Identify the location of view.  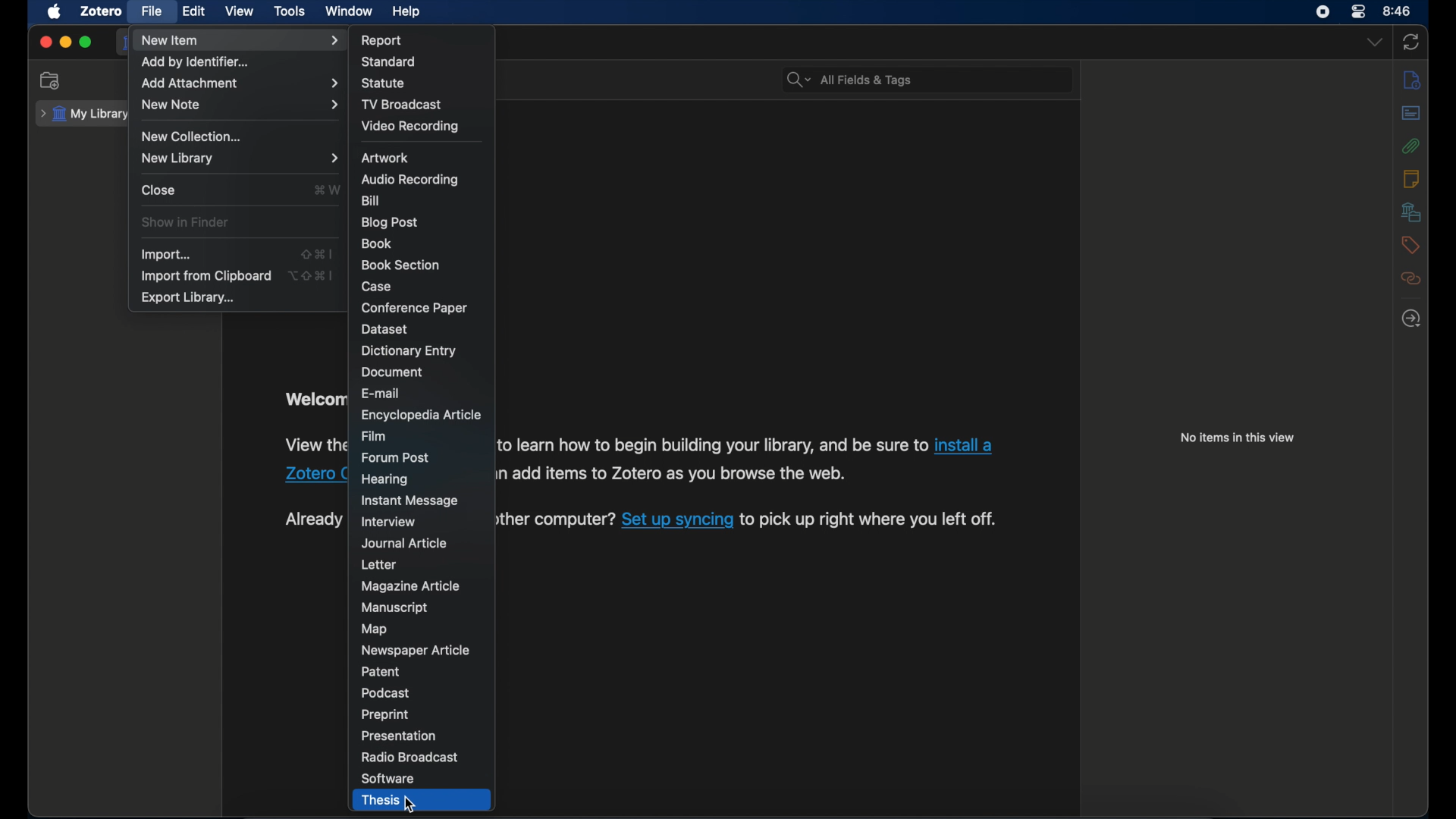
(242, 12).